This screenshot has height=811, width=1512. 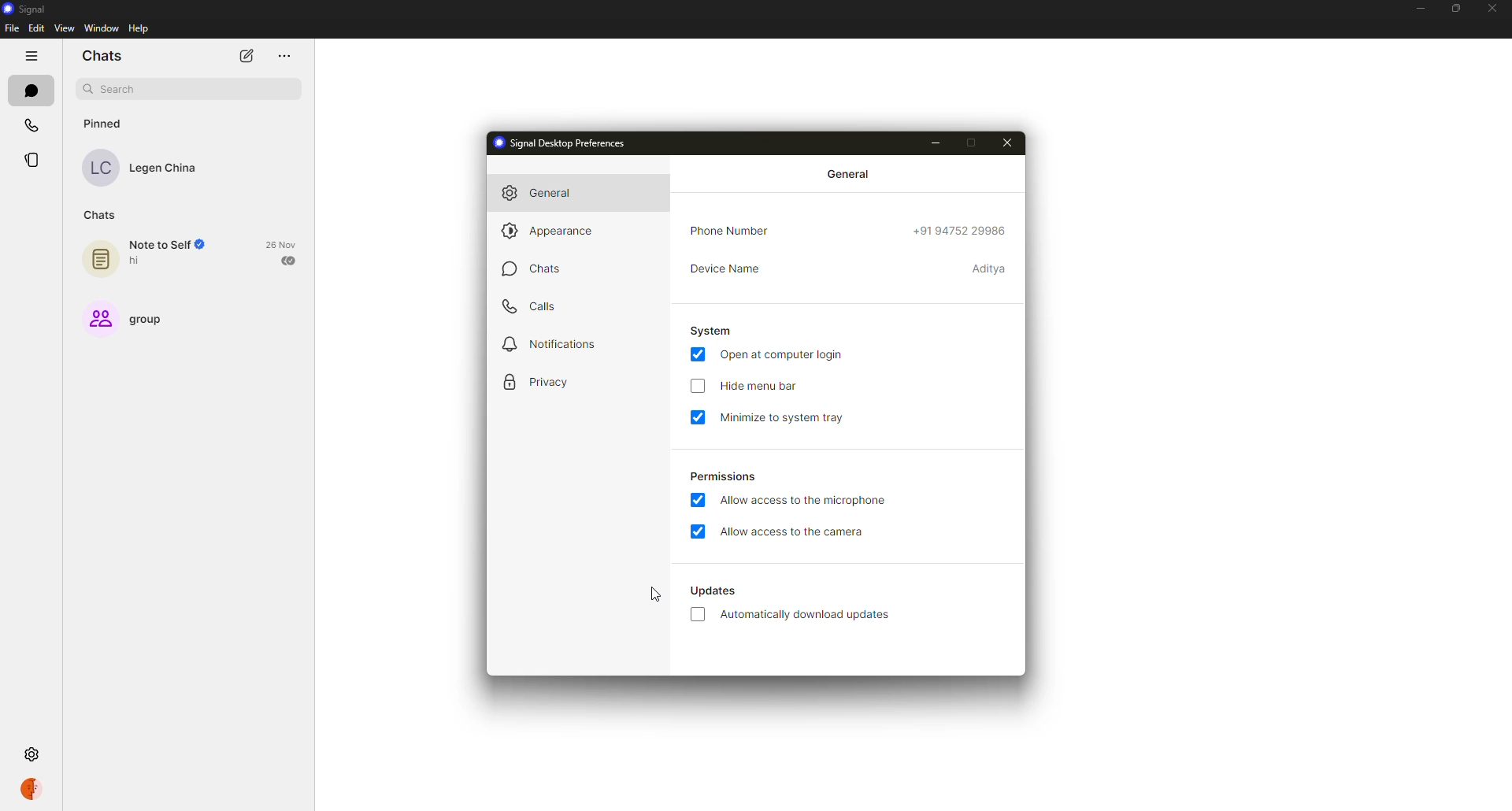 What do you see at coordinates (729, 231) in the screenshot?
I see `phone number` at bounding box center [729, 231].